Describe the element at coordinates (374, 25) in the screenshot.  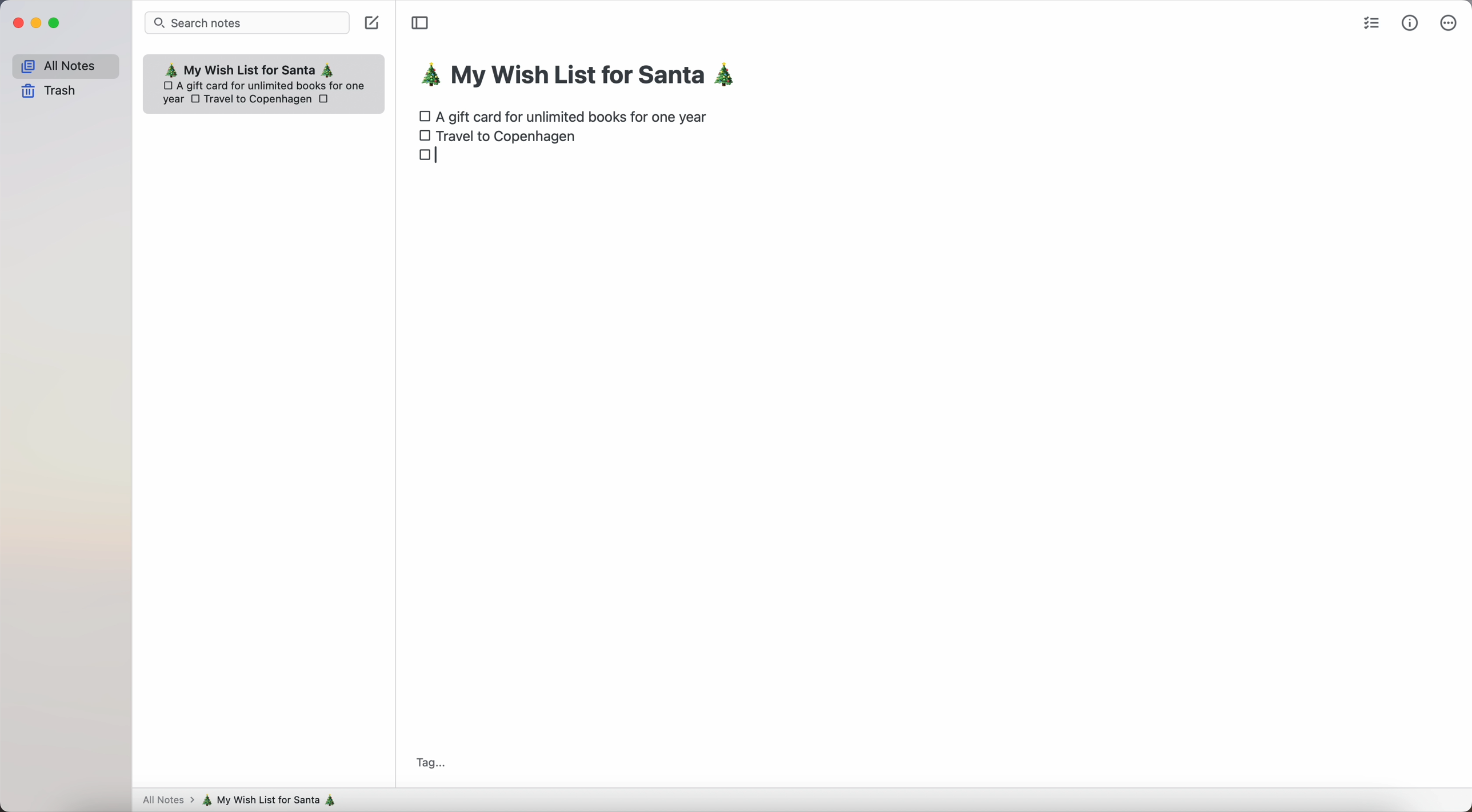
I see `create note` at that location.